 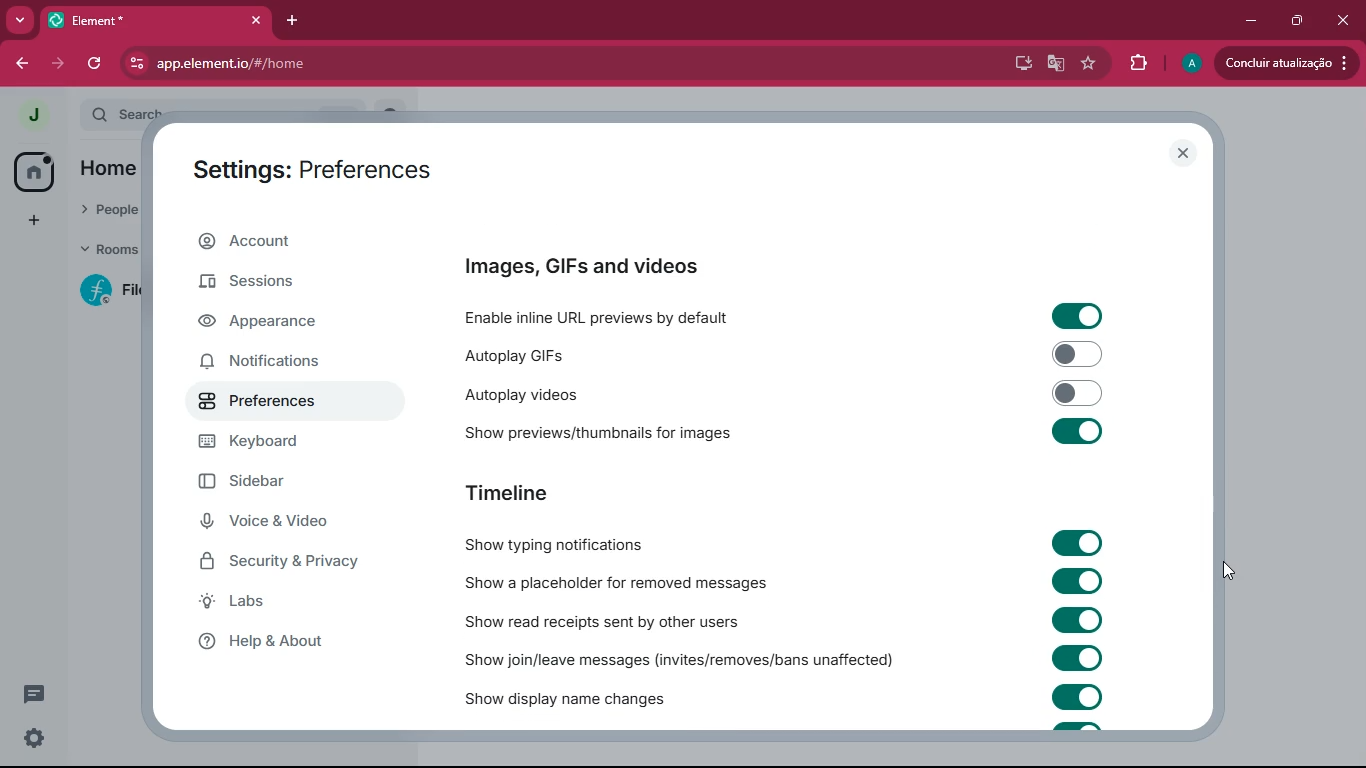 I want to click on toggle on/off, so click(x=1078, y=658).